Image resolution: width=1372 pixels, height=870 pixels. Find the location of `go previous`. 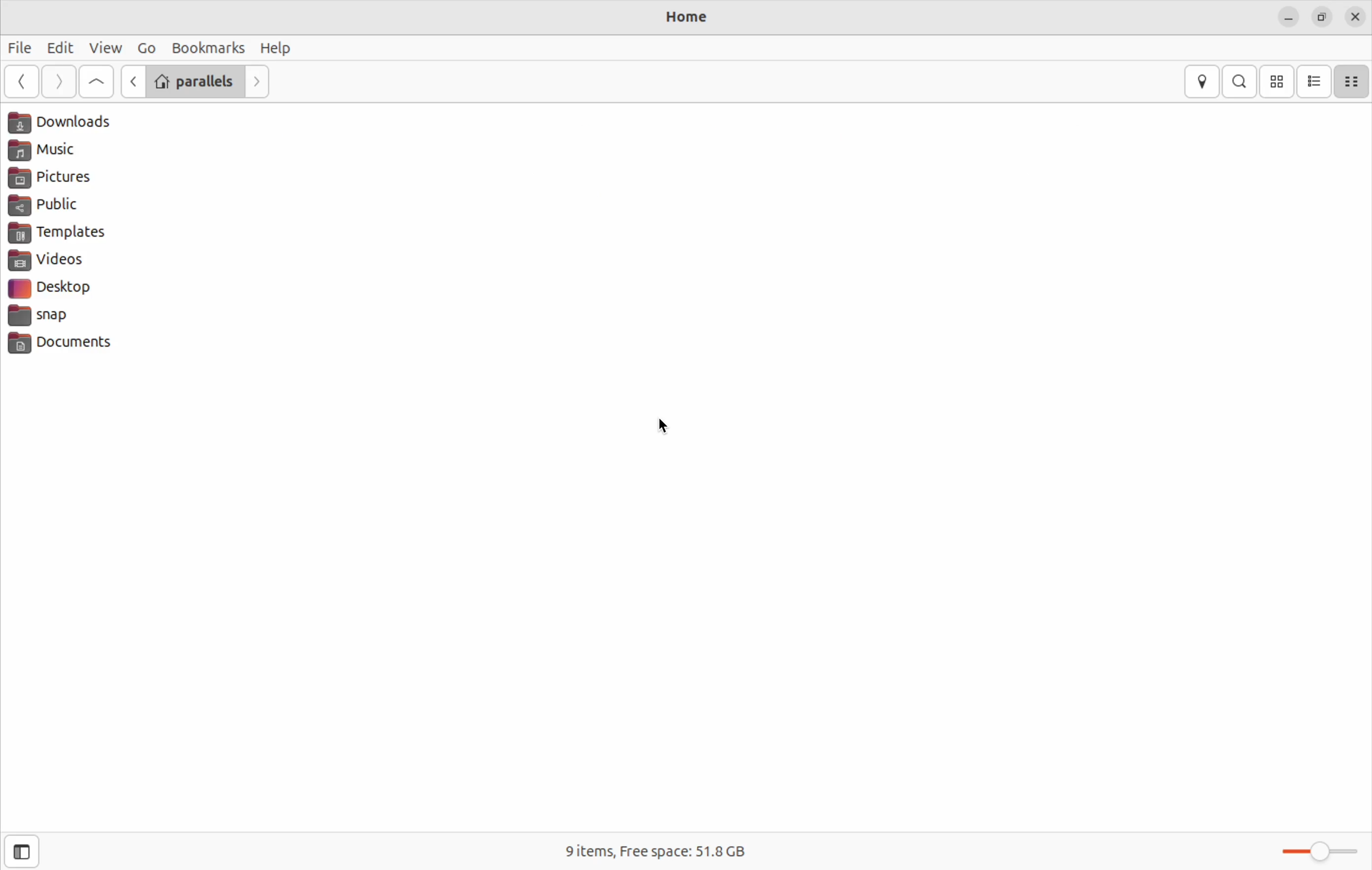

go previous is located at coordinates (22, 82).